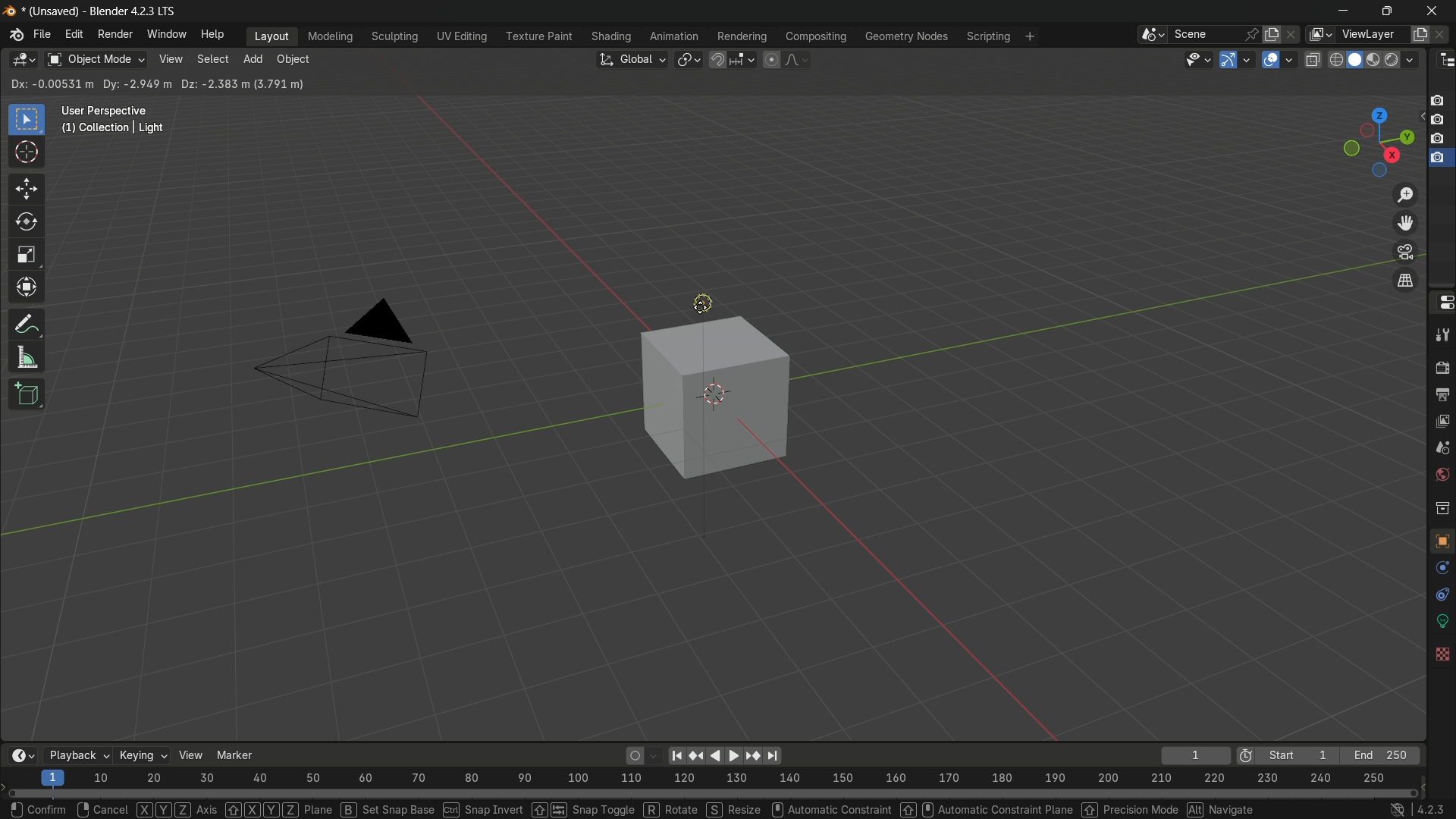 The image size is (1456, 819). What do you see at coordinates (1390, 83) in the screenshot?
I see `options` at bounding box center [1390, 83].